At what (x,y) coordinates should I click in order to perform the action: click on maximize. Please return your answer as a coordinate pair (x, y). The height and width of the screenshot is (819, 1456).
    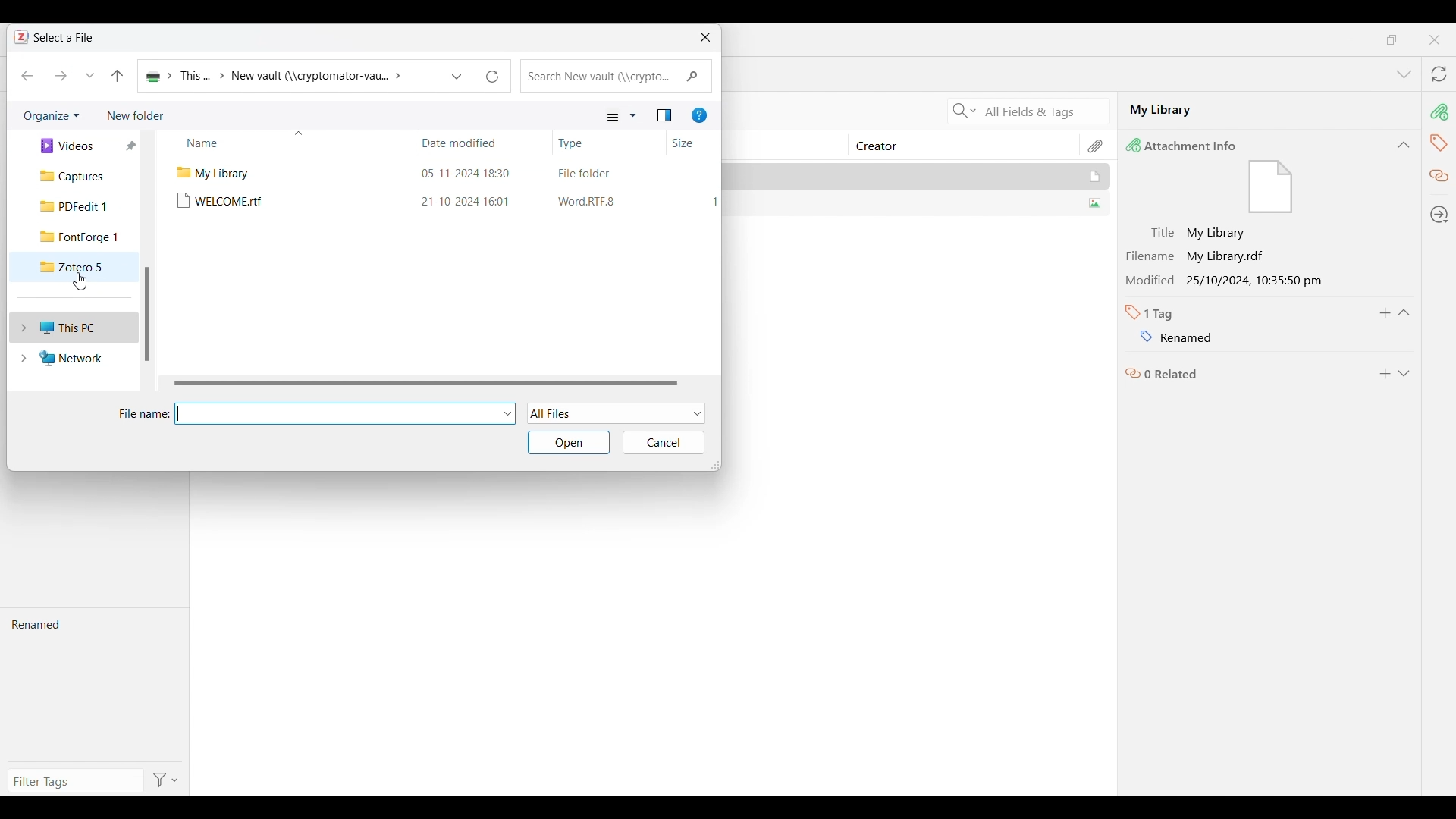
    Looking at the image, I should click on (1391, 39).